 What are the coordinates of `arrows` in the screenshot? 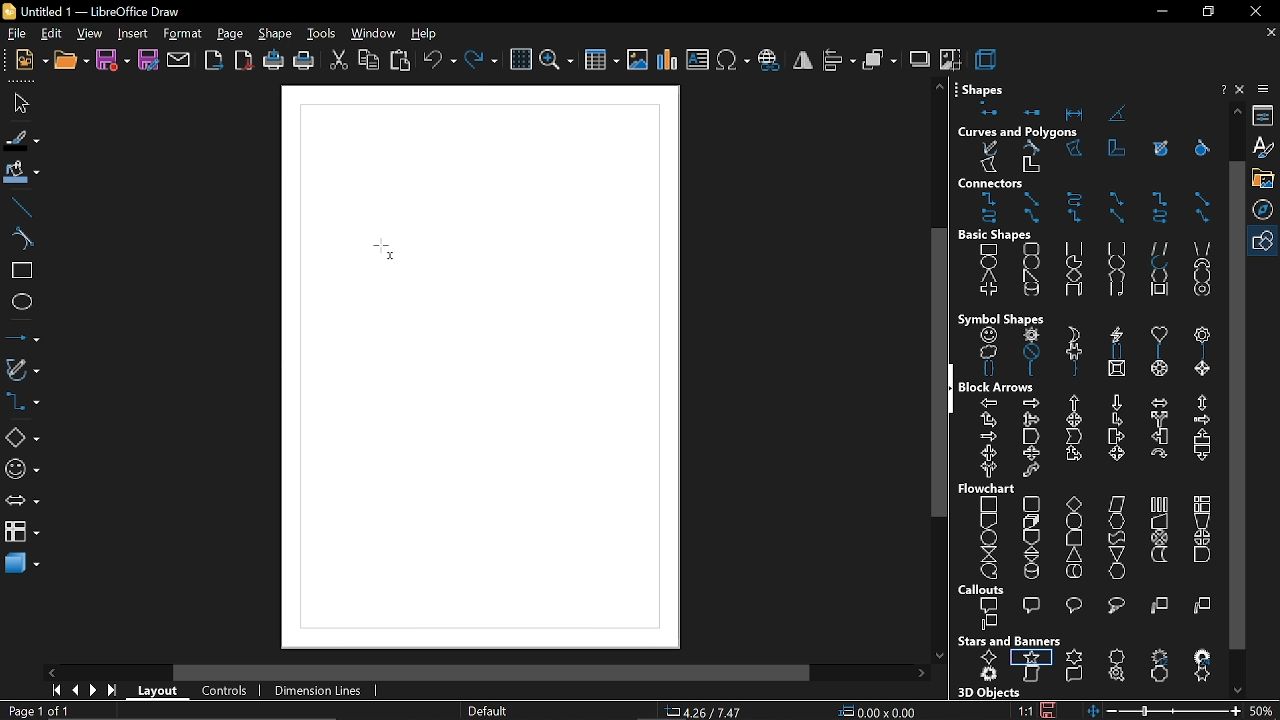 It's located at (22, 503).